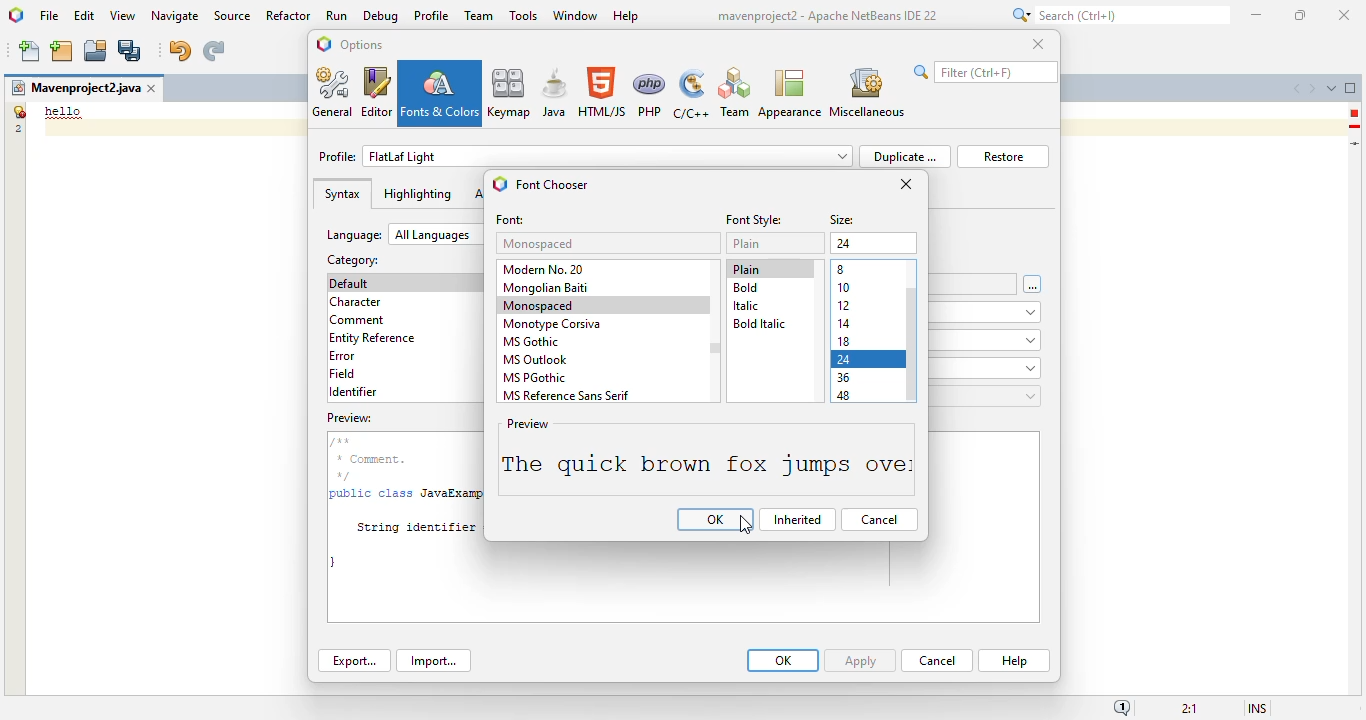 The height and width of the screenshot is (720, 1366). What do you see at coordinates (382, 16) in the screenshot?
I see `debug` at bounding box center [382, 16].